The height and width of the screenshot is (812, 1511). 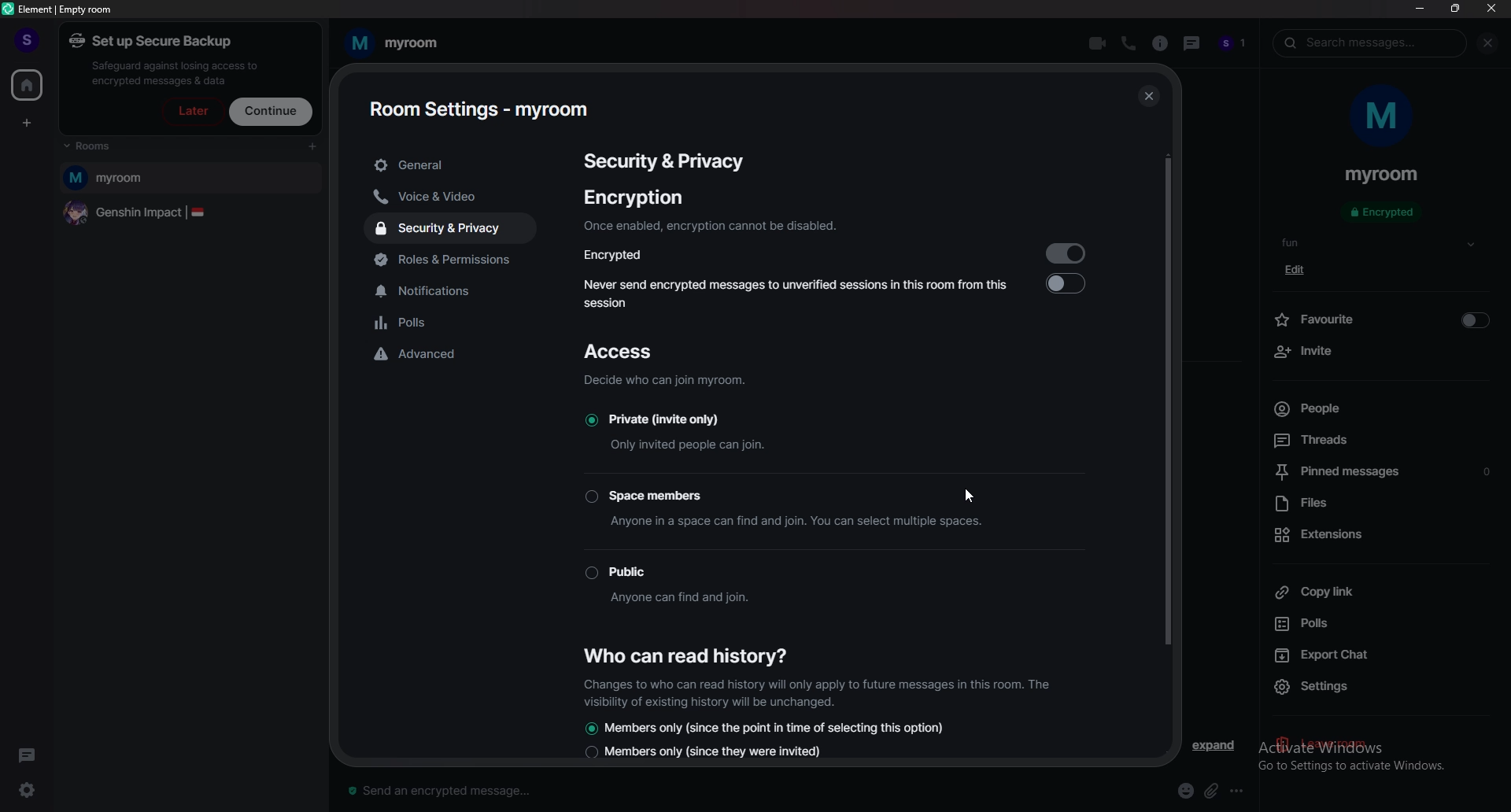 What do you see at coordinates (1377, 592) in the screenshot?
I see `copy link` at bounding box center [1377, 592].